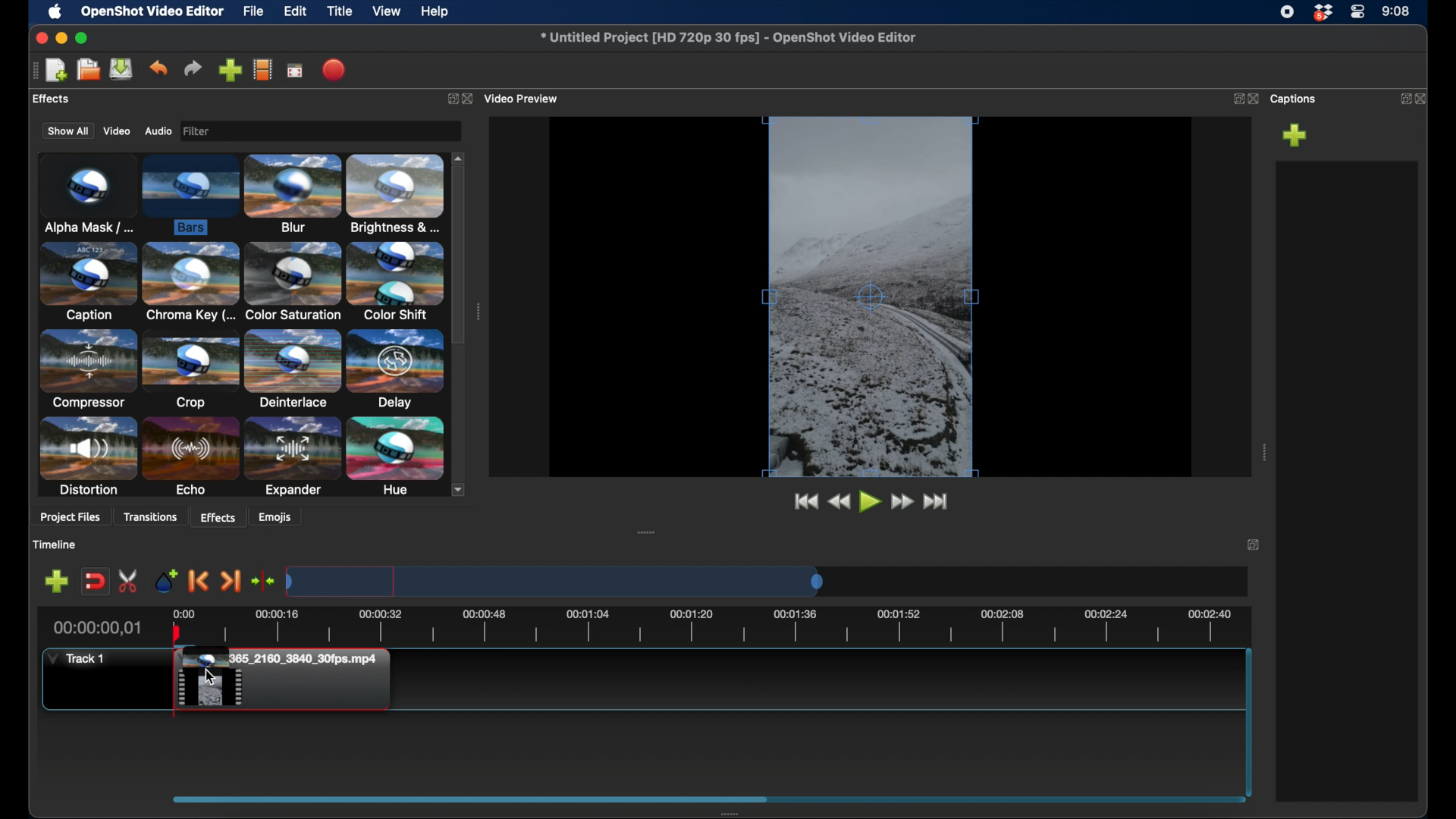 Image resolution: width=1456 pixels, height=819 pixels. What do you see at coordinates (1401, 98) in the screenshot?
I see `expand` at bounding box center [1401, 98].